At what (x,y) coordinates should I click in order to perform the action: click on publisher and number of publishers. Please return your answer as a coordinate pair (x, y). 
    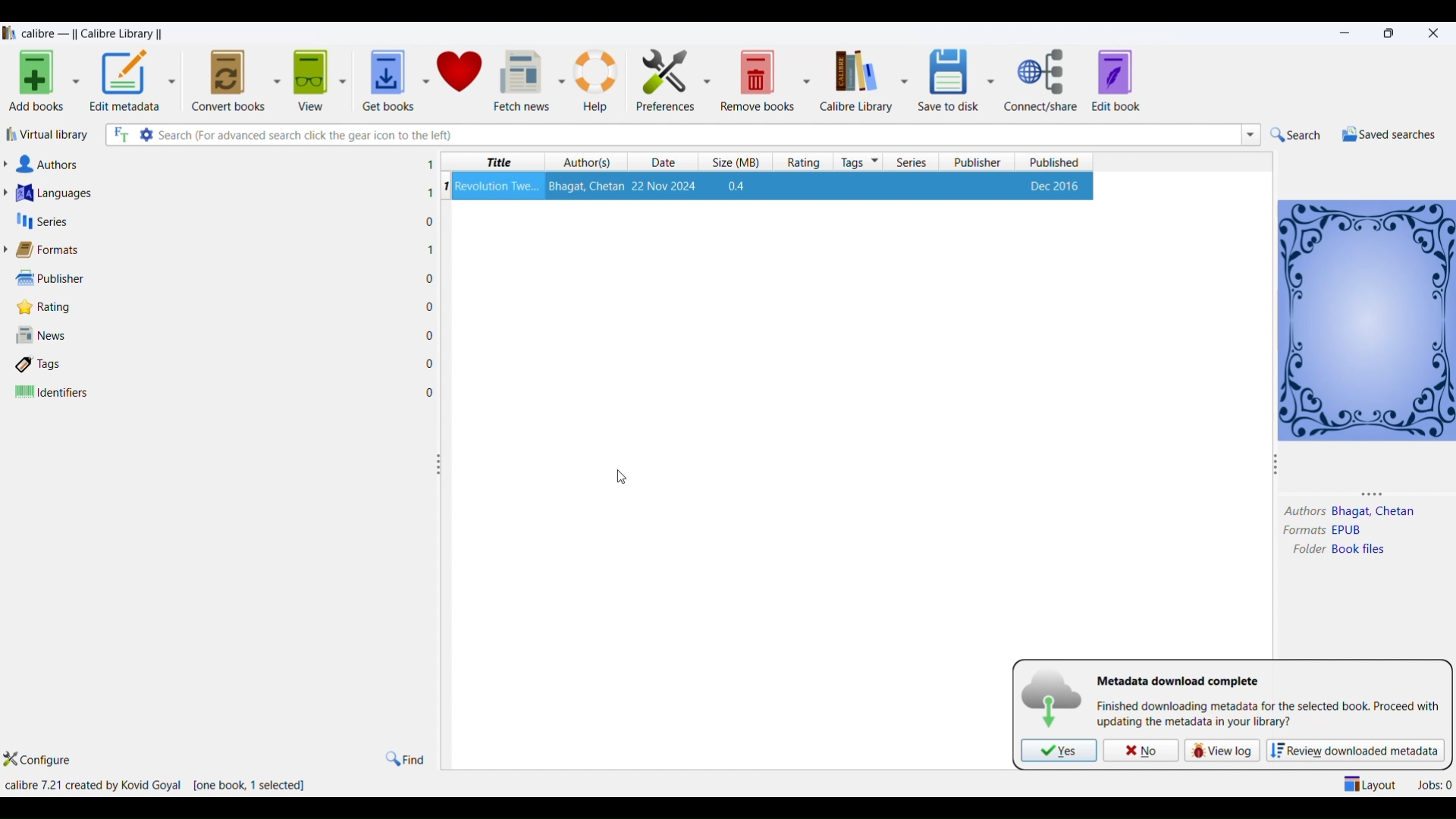
    Looking at the image, I should click on (52, 278).